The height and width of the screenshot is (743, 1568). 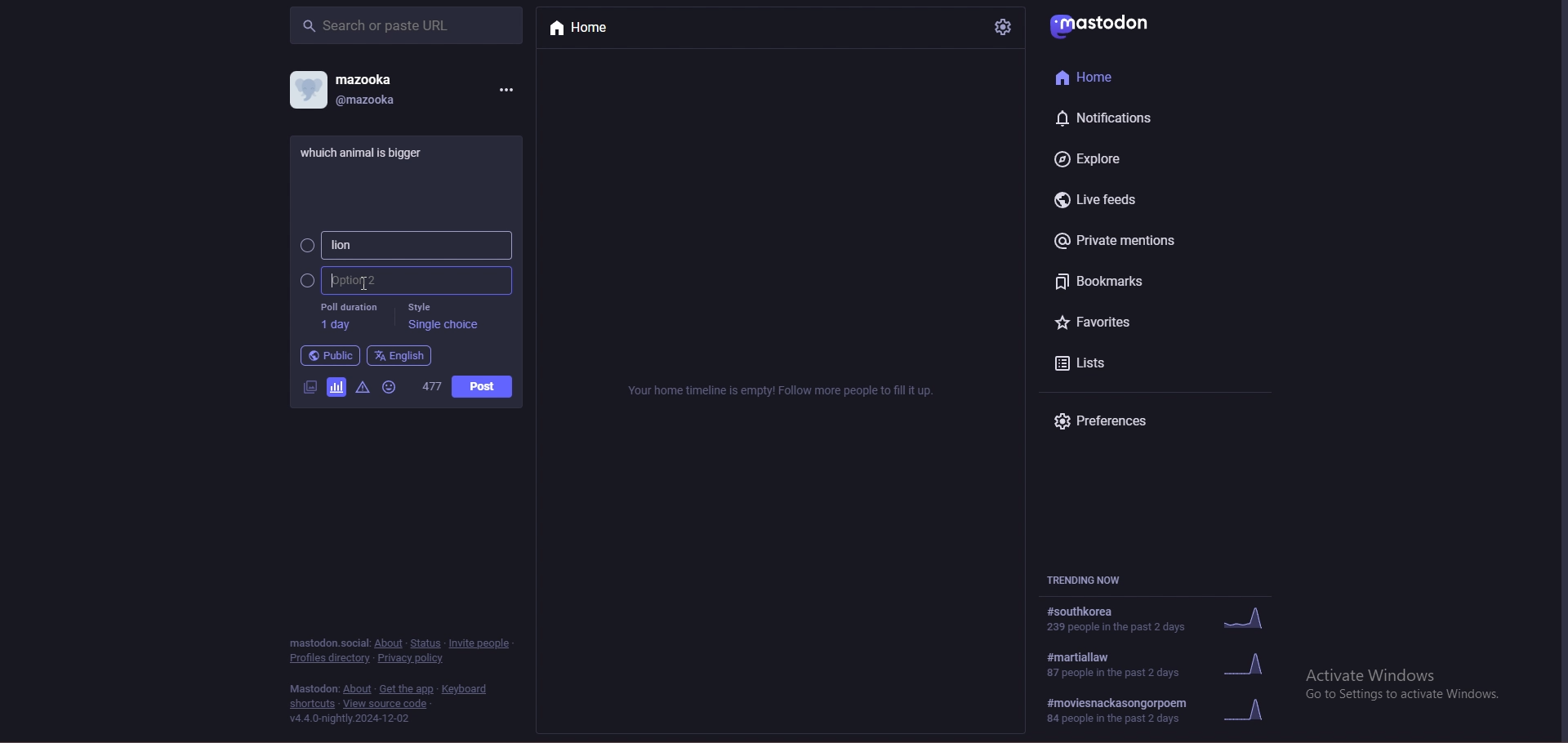 I want to click on post, so click(x=370, y=151).